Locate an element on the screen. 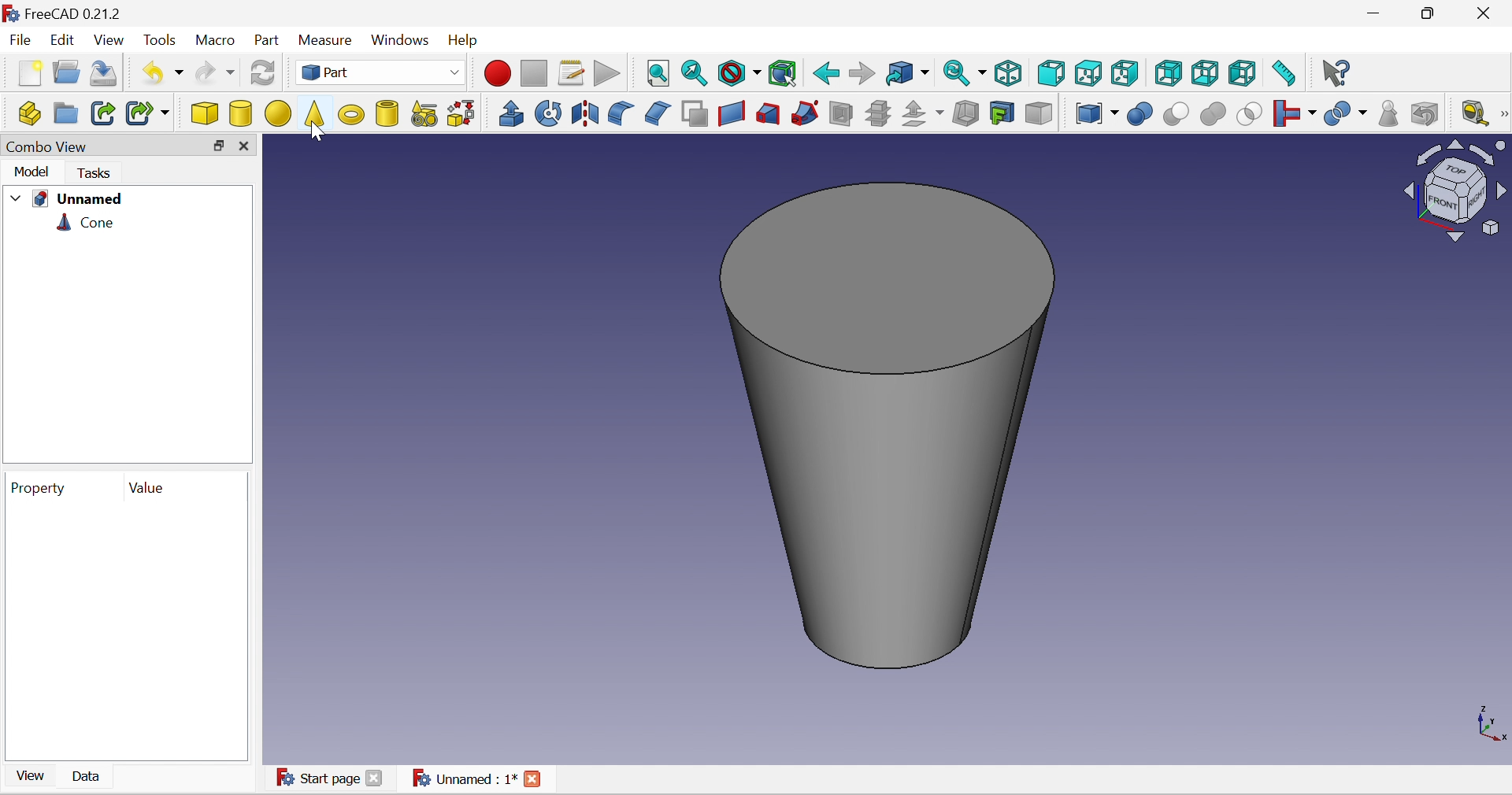 Image resolution: width=1512 pixels, height=795 pixels. Thickness is located at coordinates (964, 113).